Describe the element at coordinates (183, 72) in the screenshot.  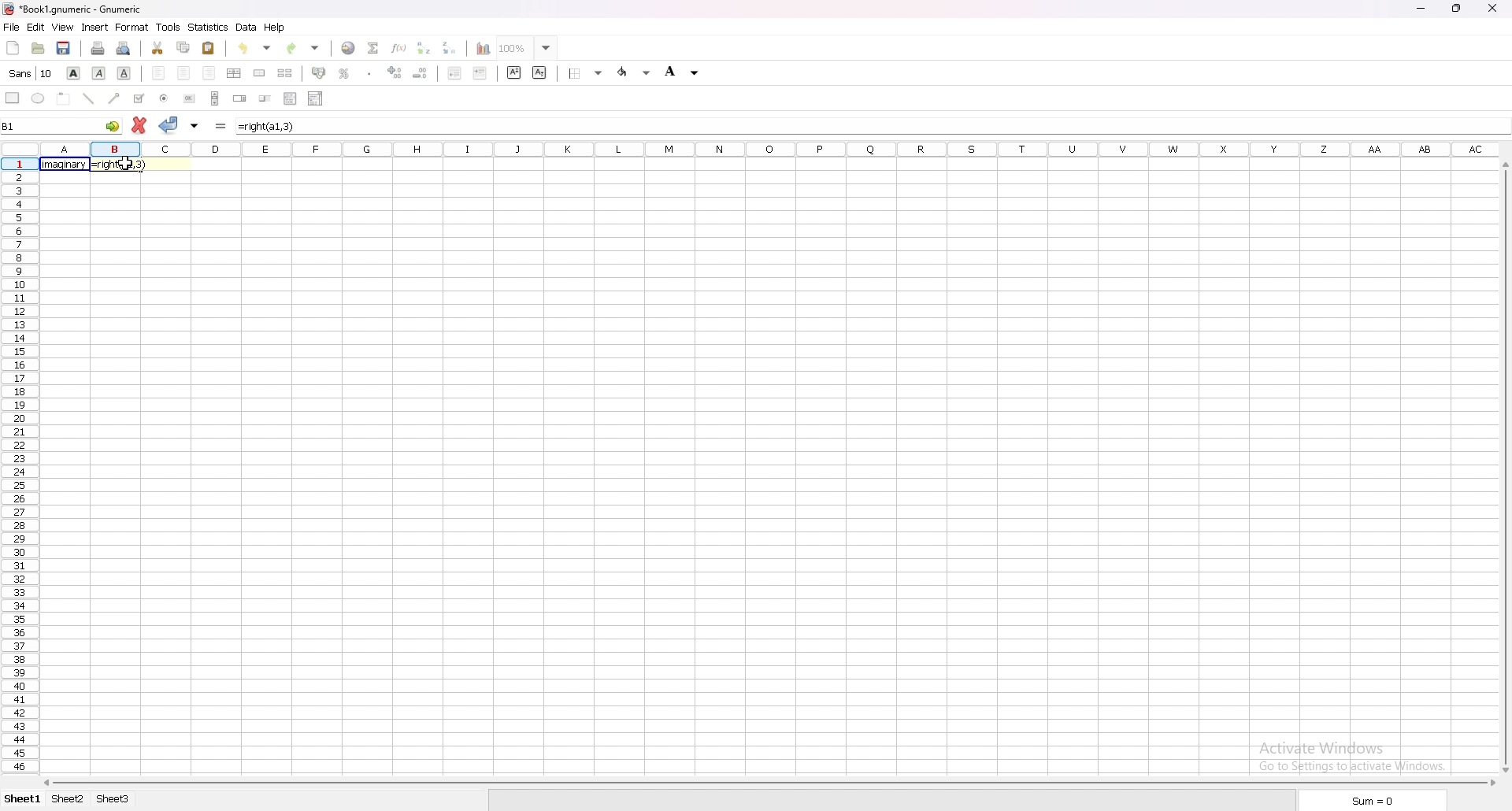
I see `centre` at that location.